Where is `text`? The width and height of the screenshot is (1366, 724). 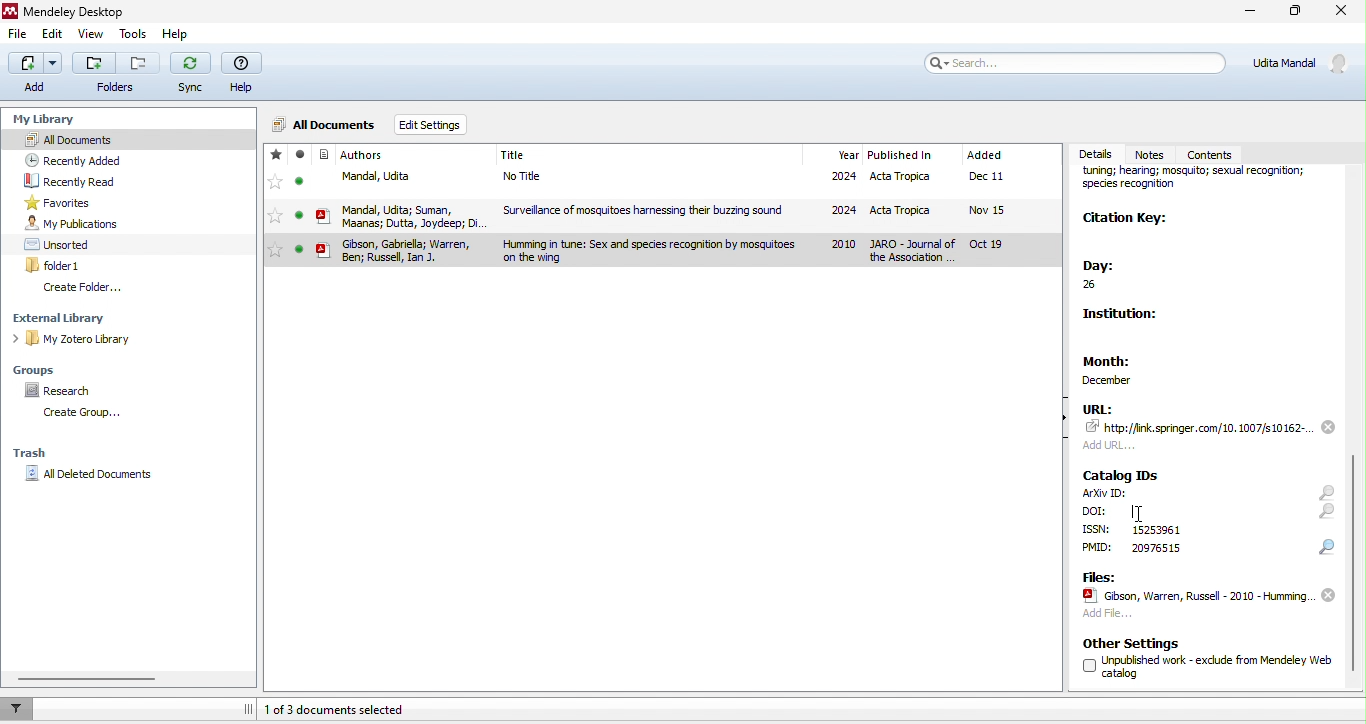
text is located at coordinates (1155, 548).